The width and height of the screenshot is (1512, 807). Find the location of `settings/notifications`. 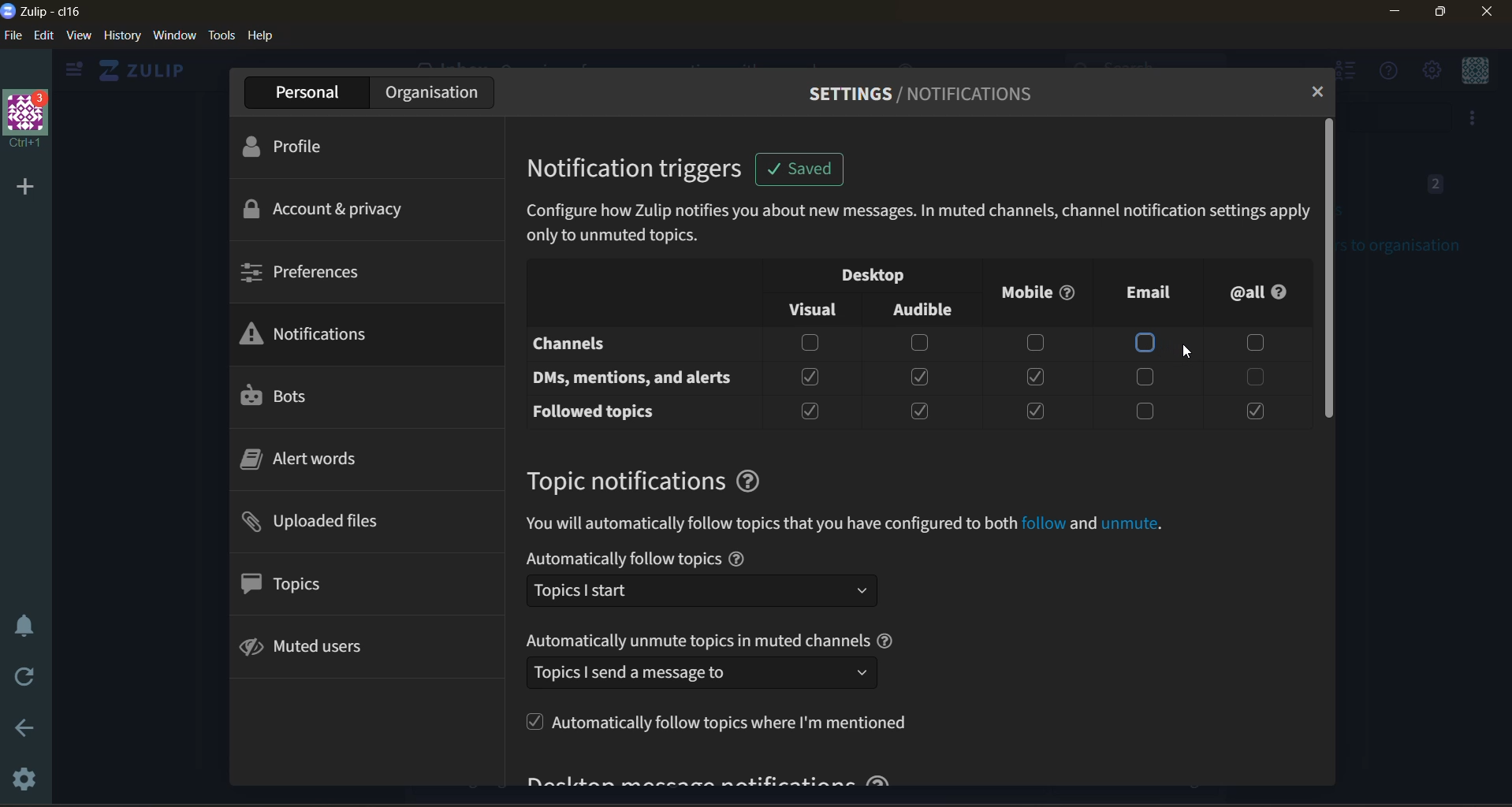

settings/notifications is located at coordinates (908, 94).